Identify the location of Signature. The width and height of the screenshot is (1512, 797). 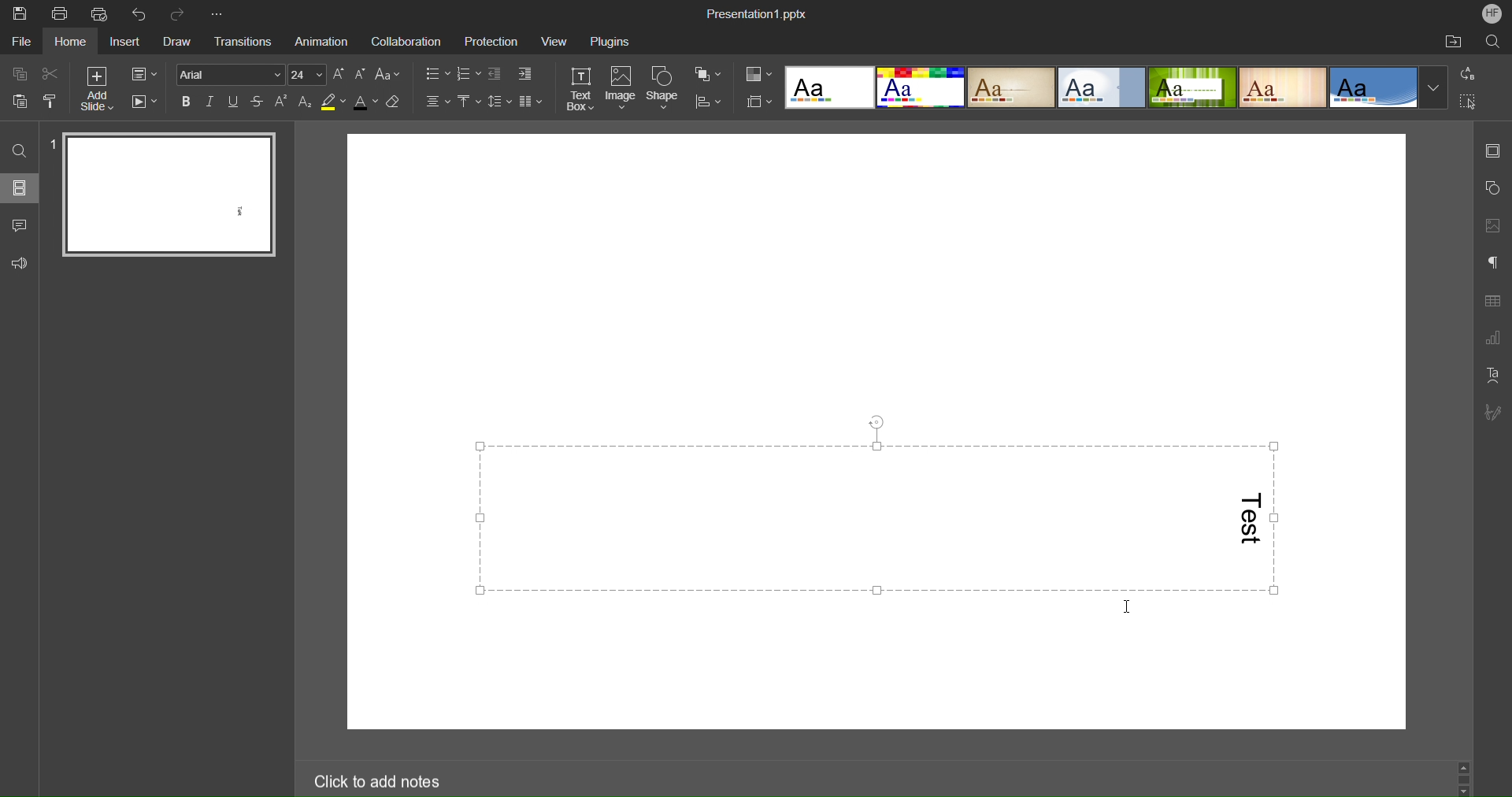
(1493, 413).